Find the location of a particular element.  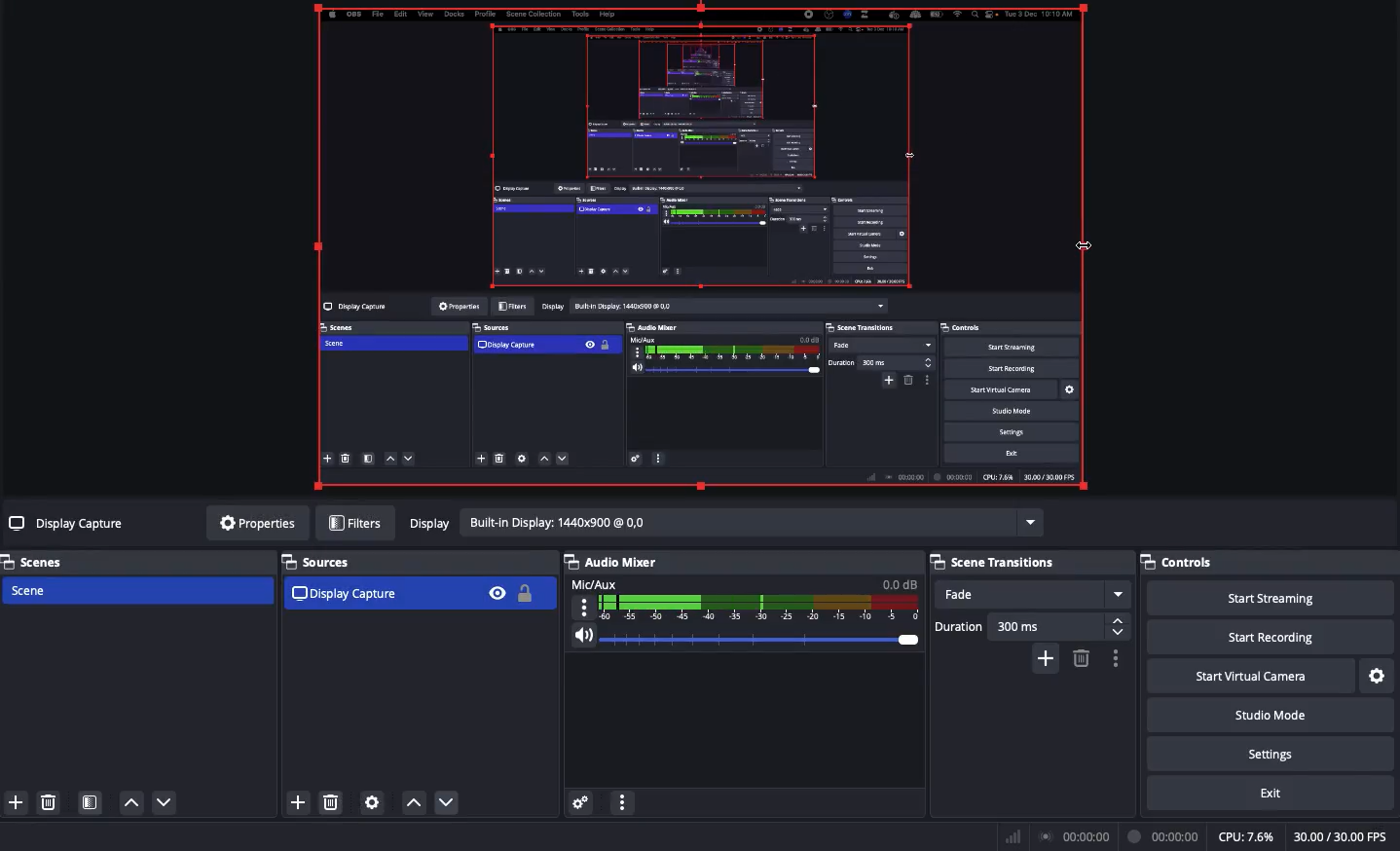

Display is located at coordinates (723, 525).